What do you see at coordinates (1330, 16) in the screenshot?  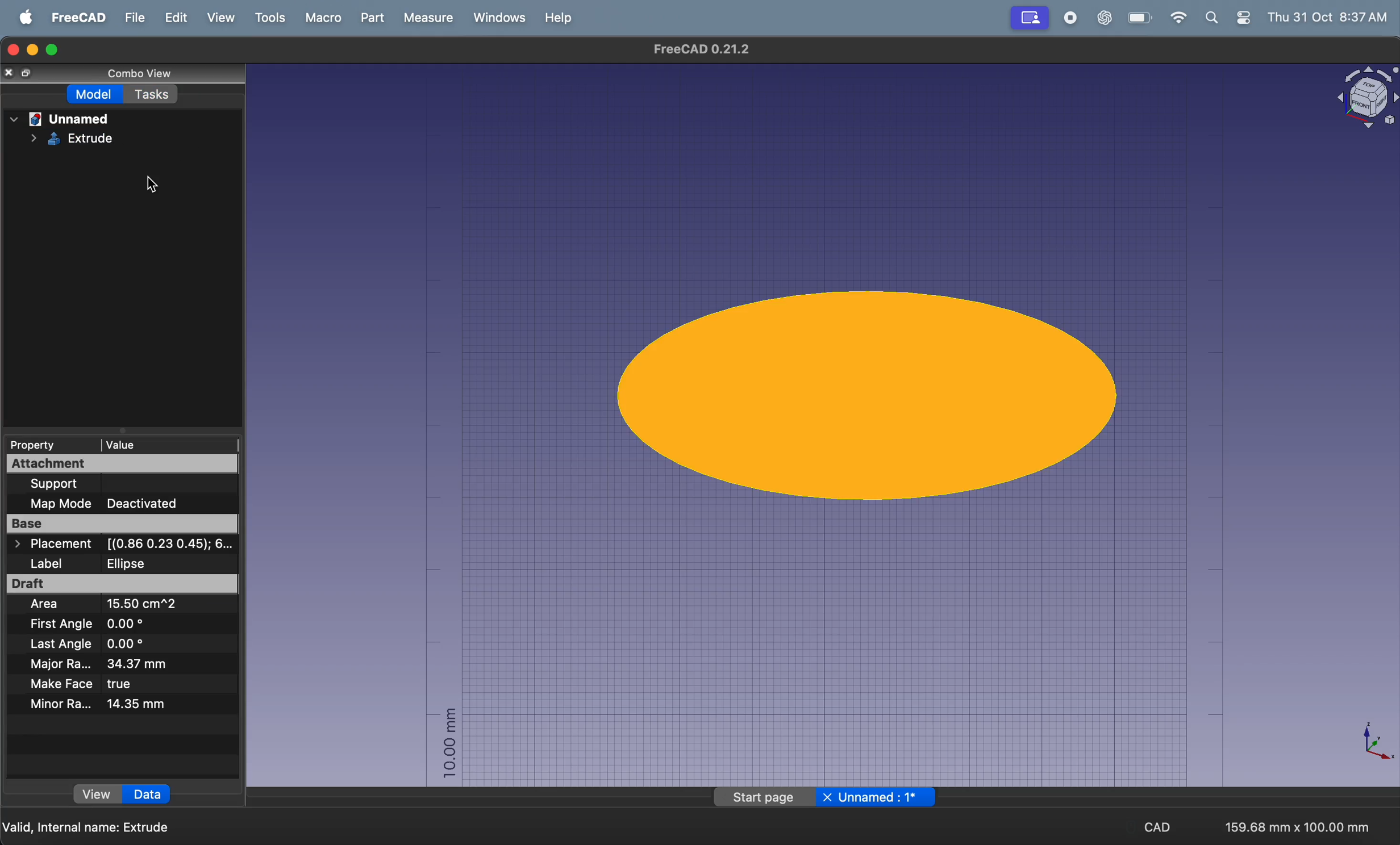 I see `thu 31 oct 8.37 am` at bounding box center [1330, 16].